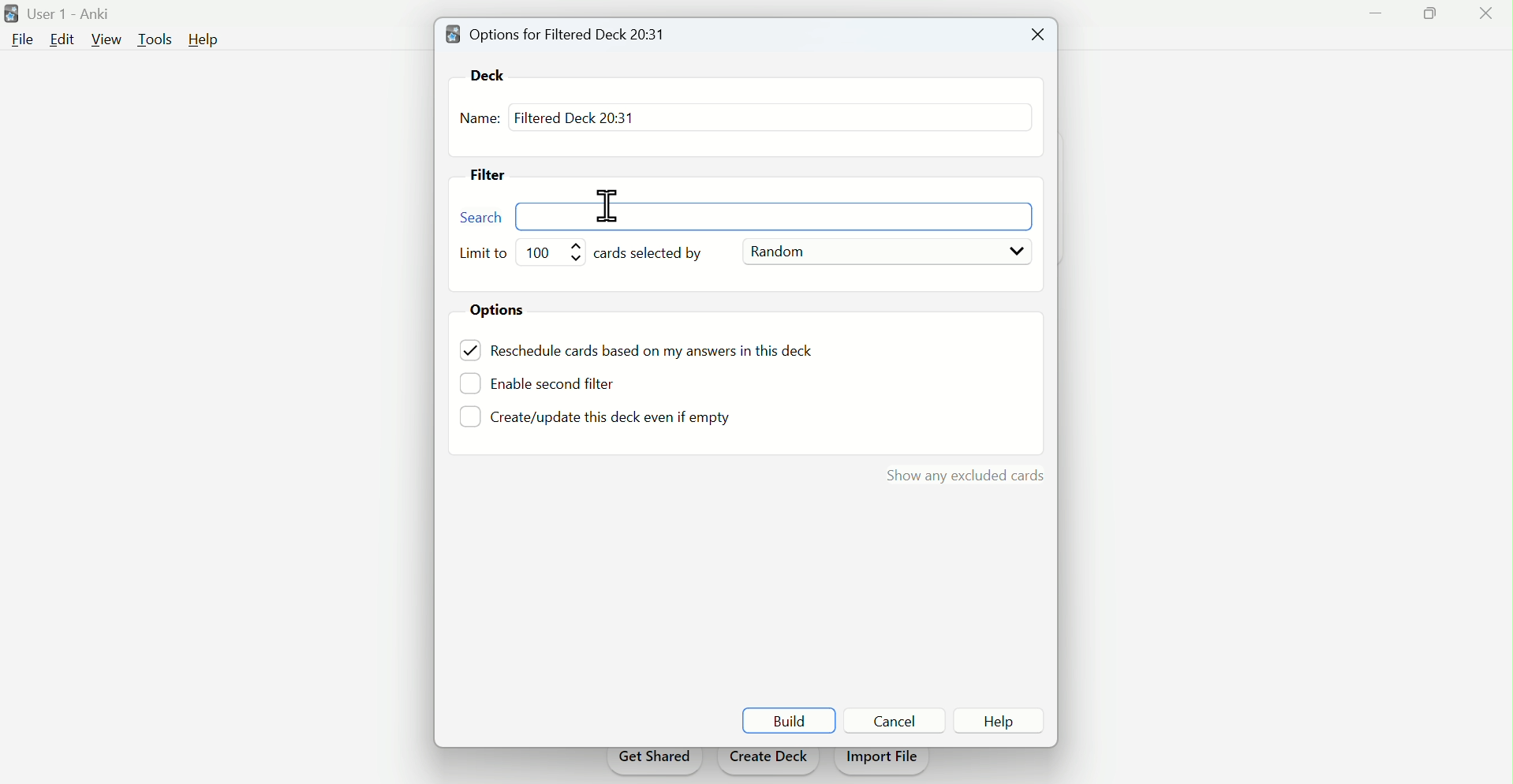 This screenshot has width=1513, height=784. What do you see at coordinates (608, 420) in the screenshot?
I see `Create/update this deck even if empty` at bounding box center [608, 420].